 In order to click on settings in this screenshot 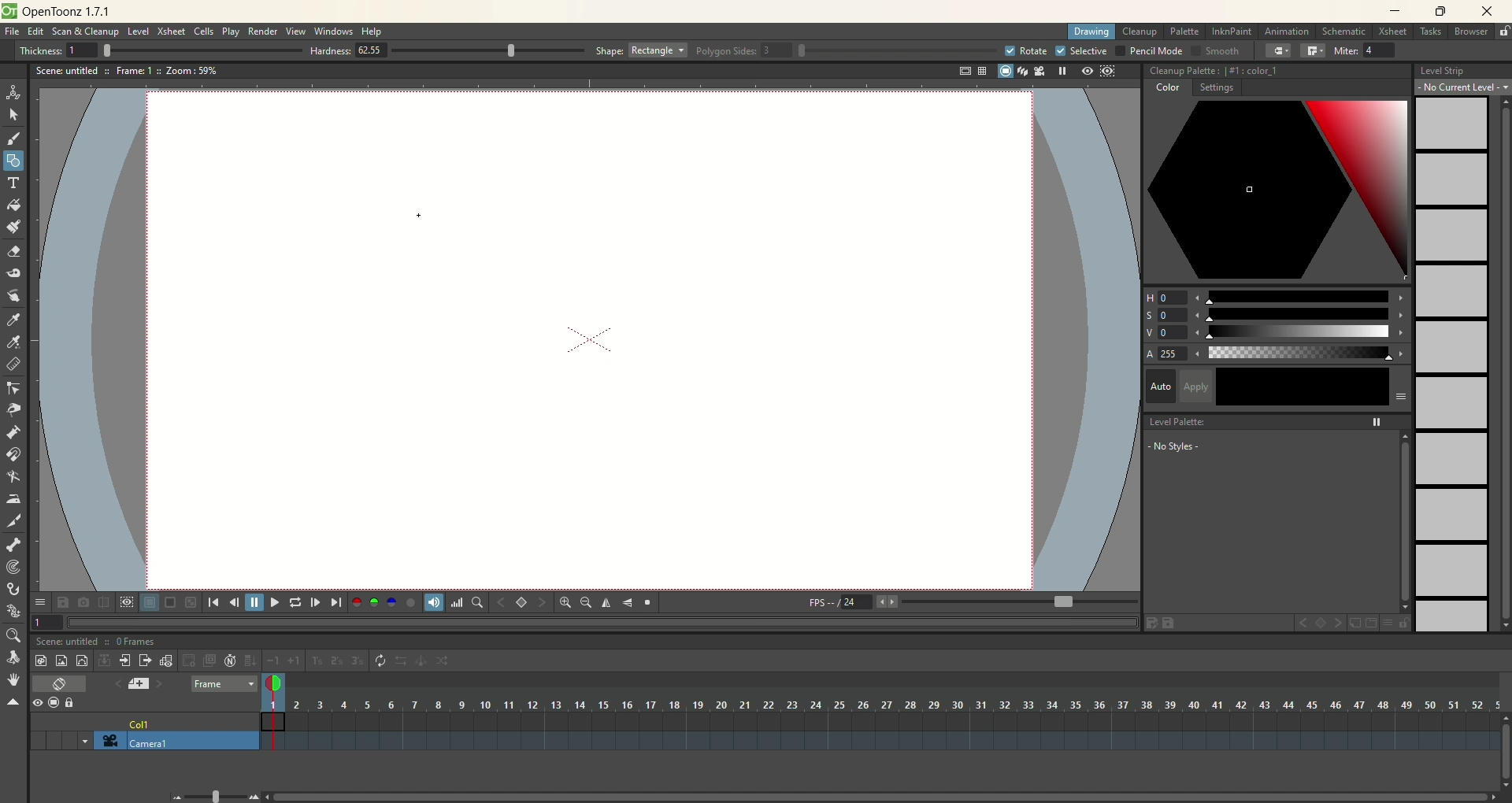, I will do `click(1216, 90)`.